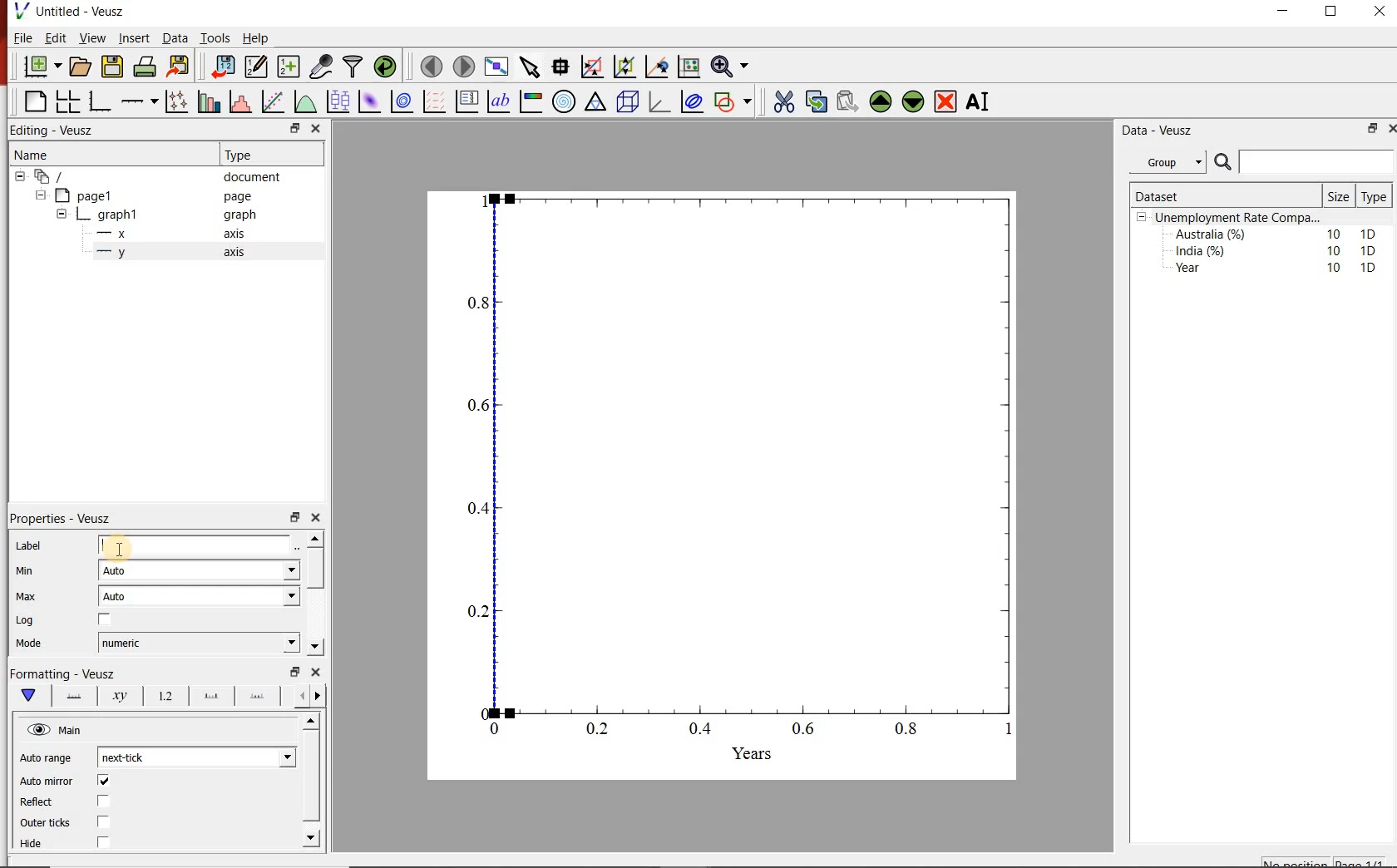 The width and height of the screenshot is (1397, 868). What do you see at coordinates (1281, 269) in the screenshot?
I see `Year 10 1D` at bounding box center [1281, 269].